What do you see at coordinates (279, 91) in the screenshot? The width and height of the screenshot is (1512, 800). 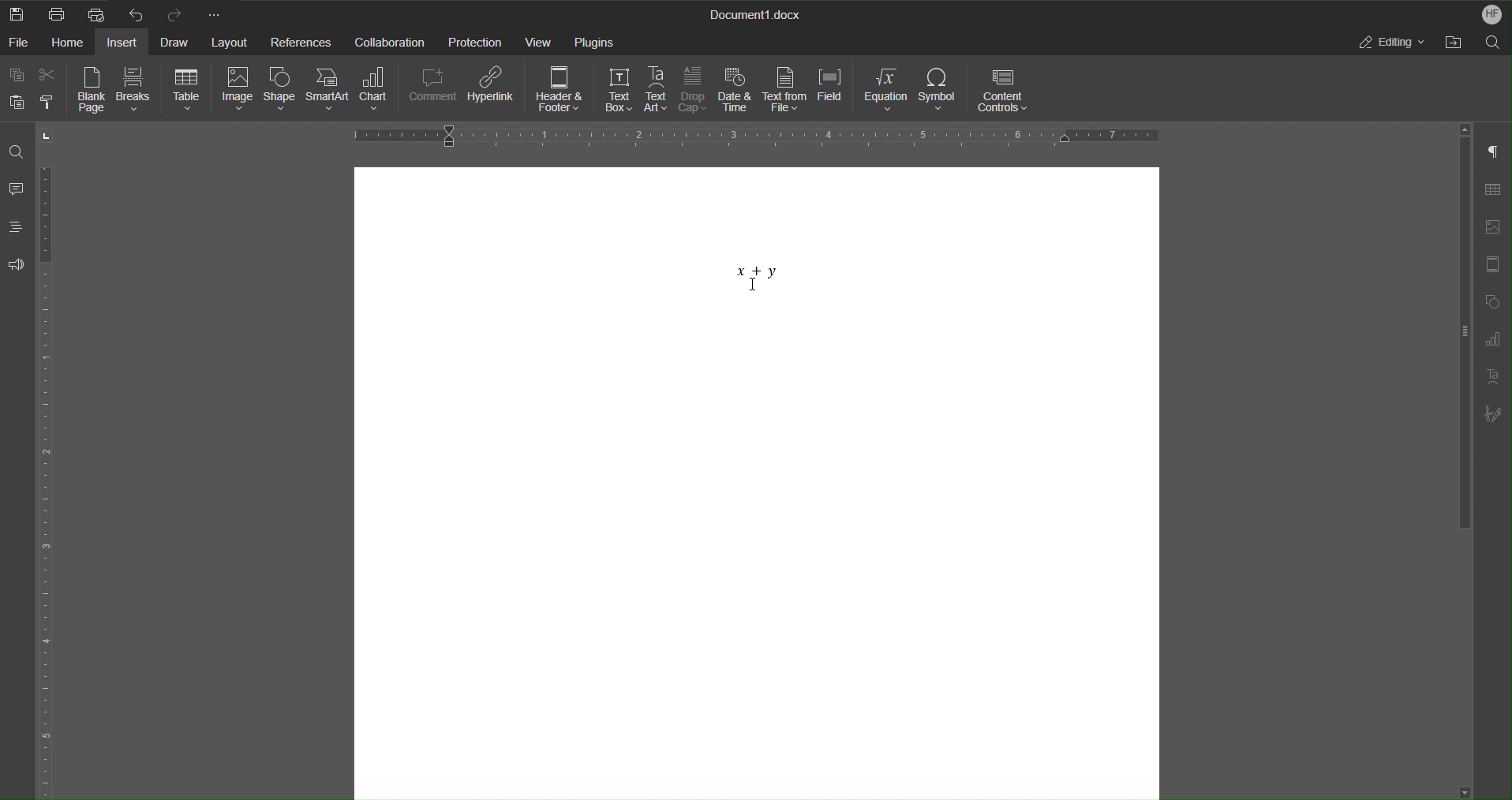 I see `Shape` at bounding box center [279, 91].